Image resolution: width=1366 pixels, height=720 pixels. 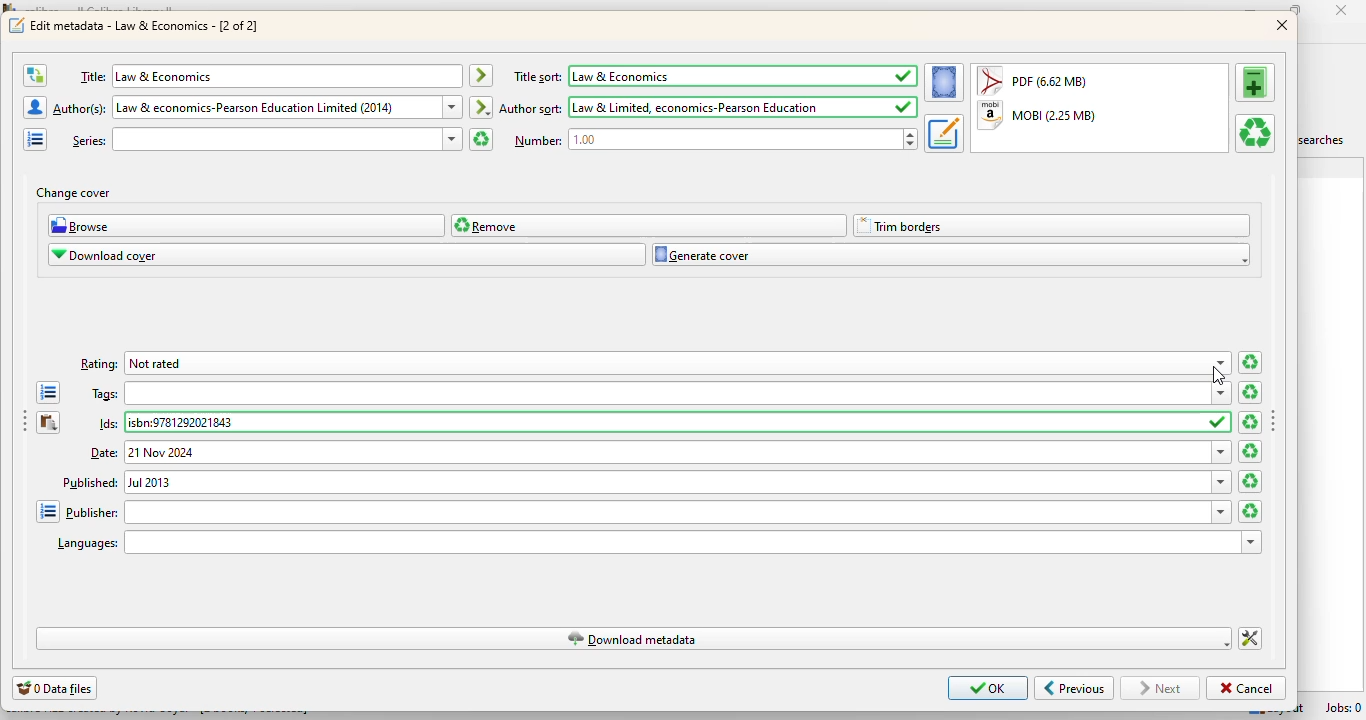 What do you see at coordinates (35, 139) in the screenshot?
I see `open the manage series editor` at bounding box center [35, 139].